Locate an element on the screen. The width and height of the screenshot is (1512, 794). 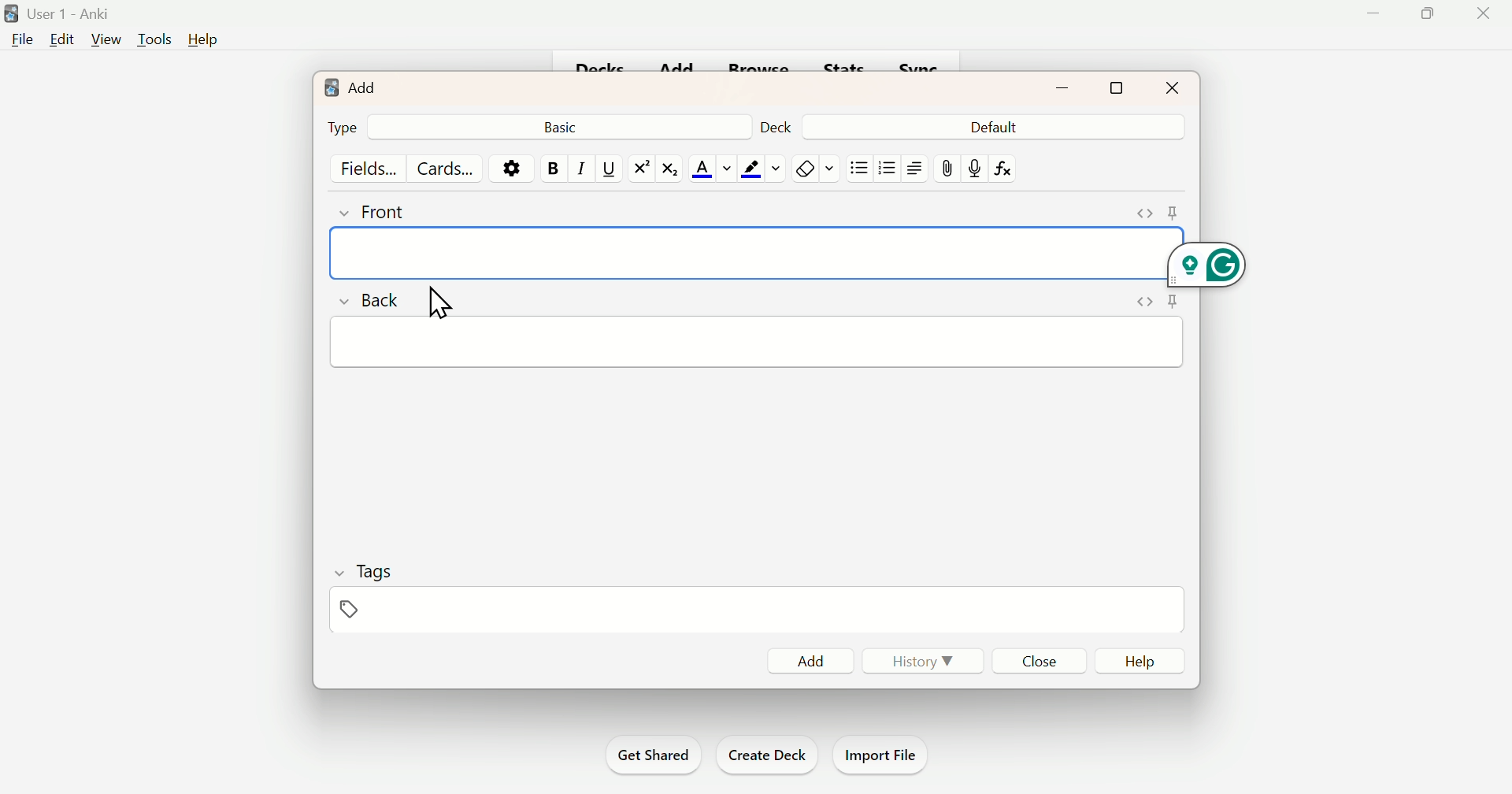
fx is located at coordinates (1009, 168).